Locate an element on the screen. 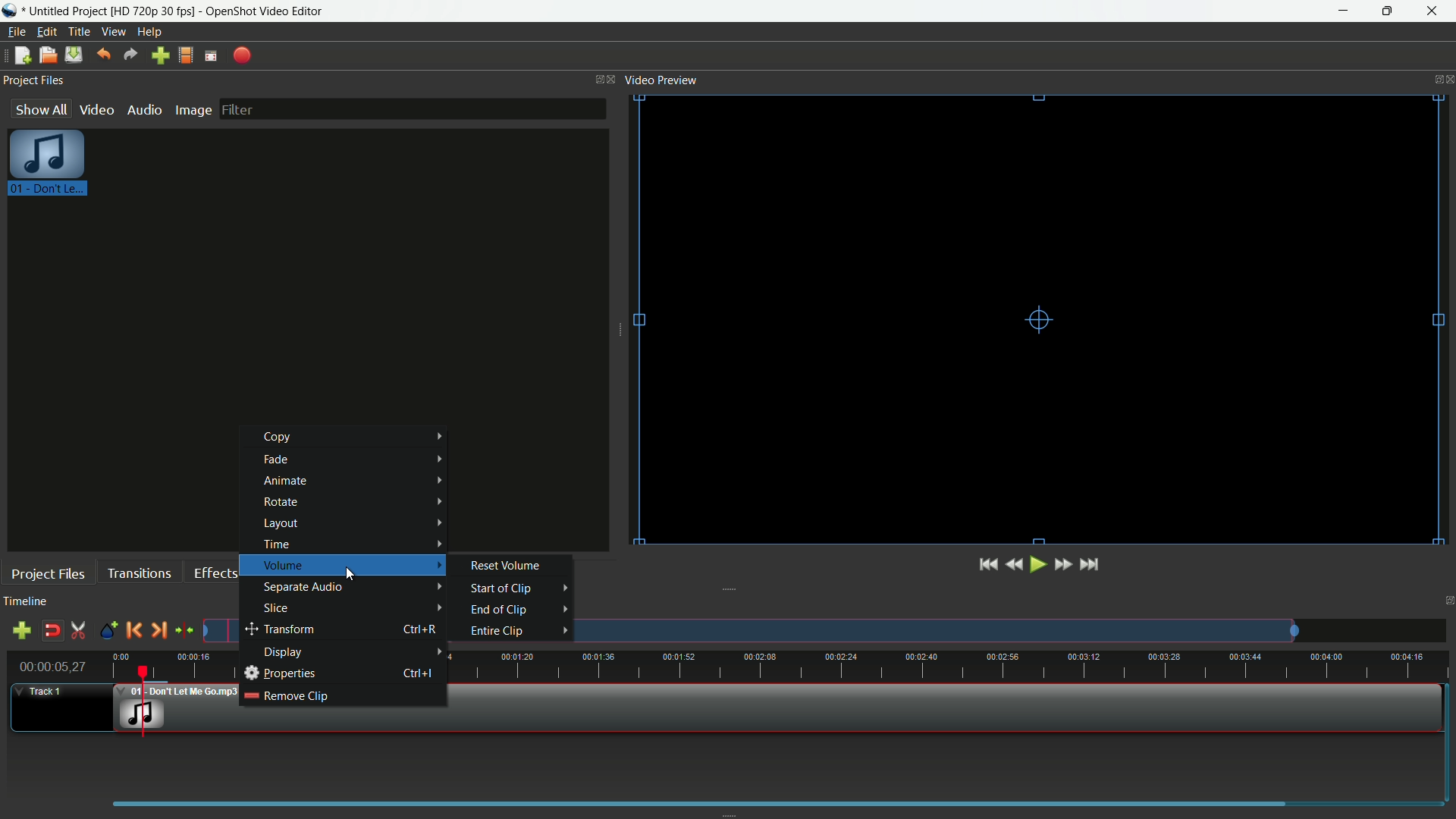 Image resolution: width=1456 pixels, height=819 pixels. quickly play forward is located at coordinates (1063, 563).